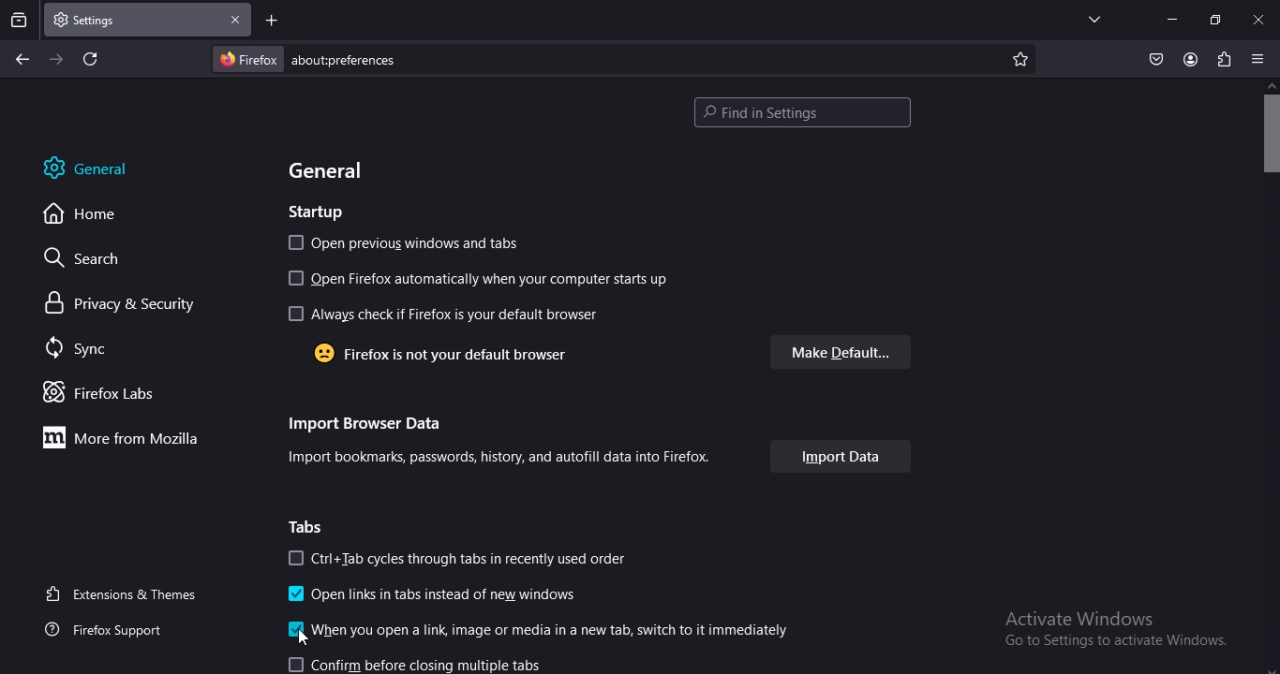  Describe the element at coordinates (334, 171) in the screenshot. I see `general` at that location.